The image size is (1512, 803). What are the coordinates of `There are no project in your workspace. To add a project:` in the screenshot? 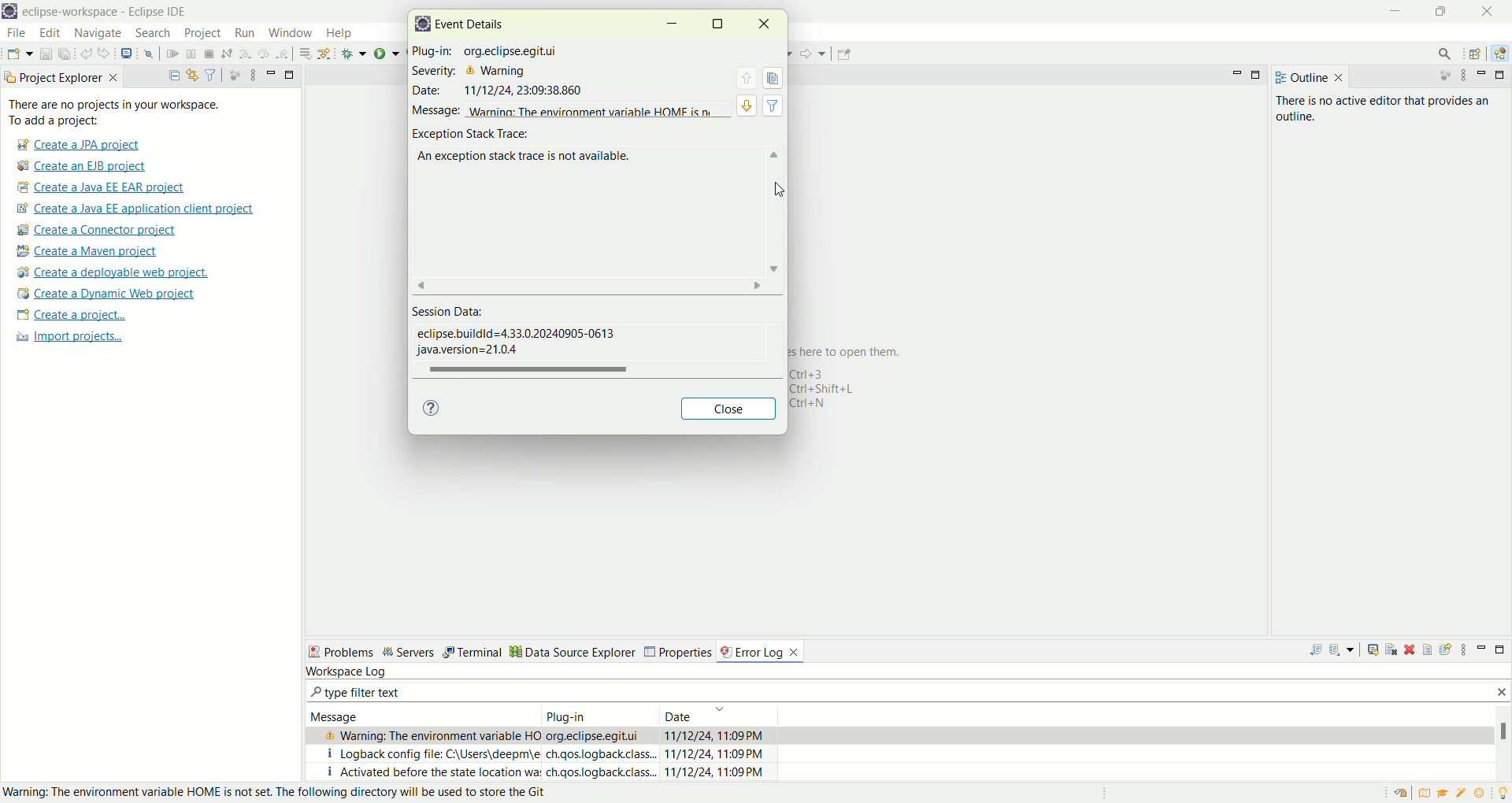 It's located at (133, 113).